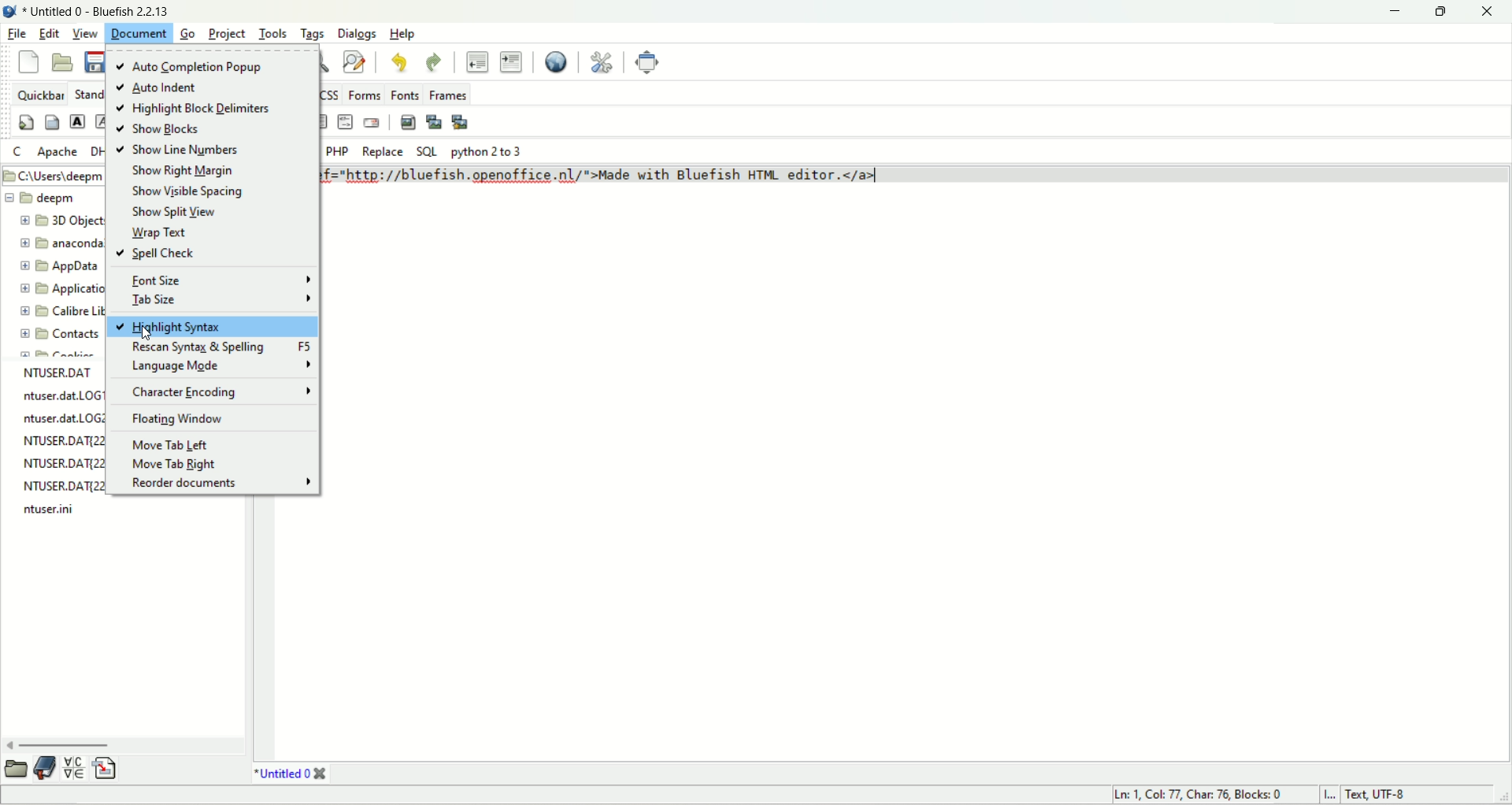  I want to click on MULTI-THUMBNAIL, so click(459, 122).